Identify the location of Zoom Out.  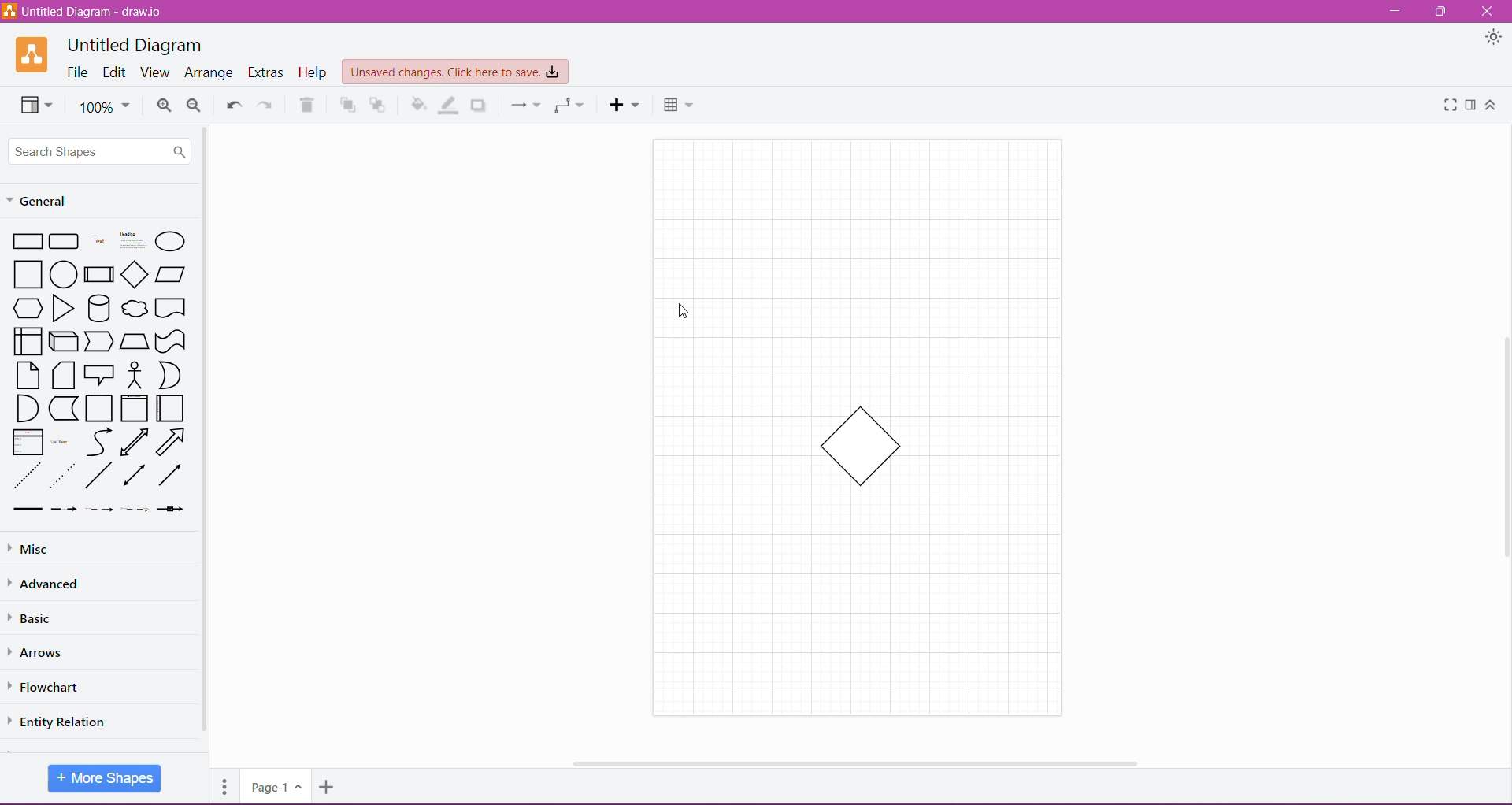
(198, 106).